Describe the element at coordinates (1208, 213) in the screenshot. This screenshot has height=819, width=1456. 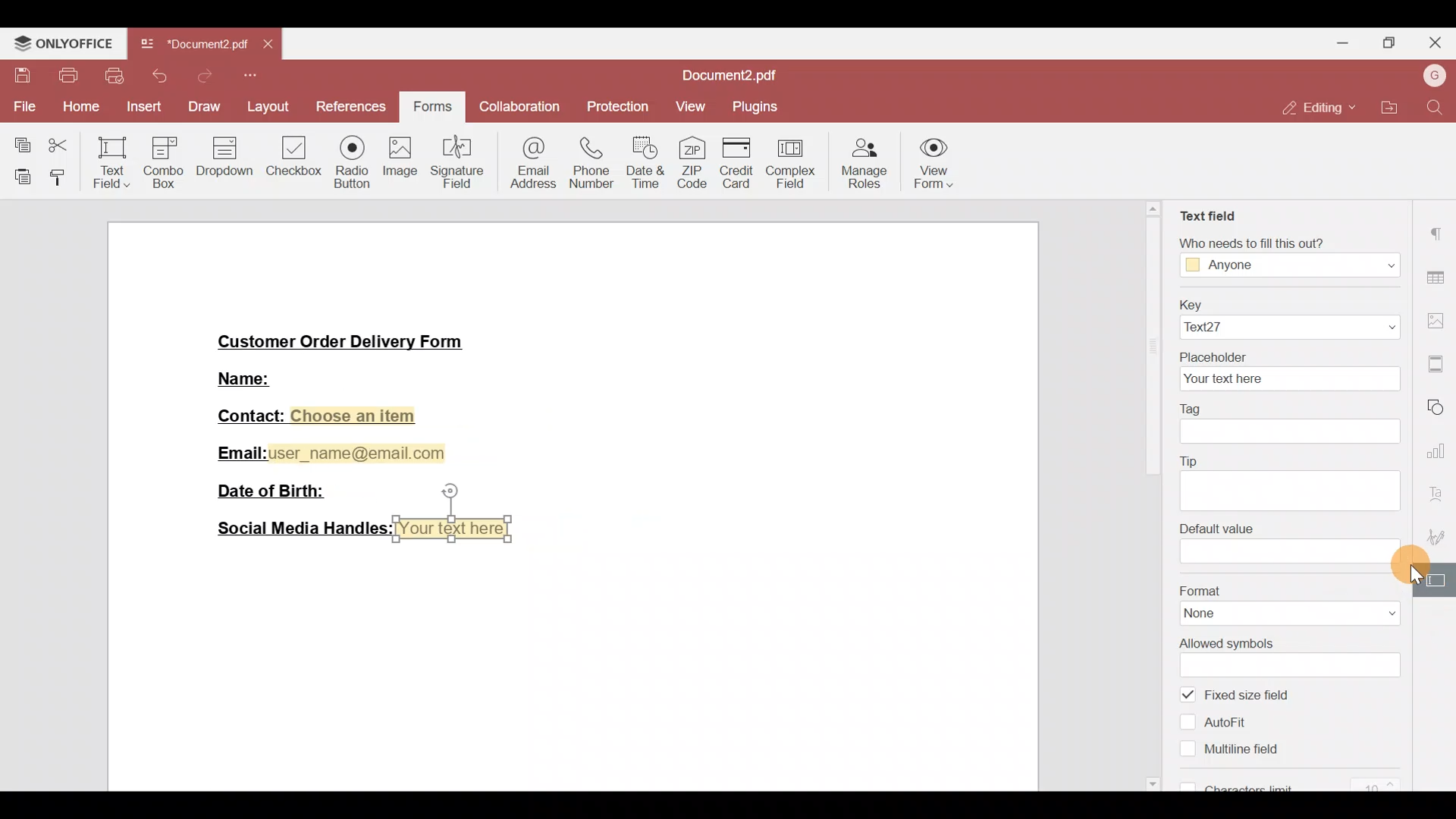
I see `Text field` at that location.